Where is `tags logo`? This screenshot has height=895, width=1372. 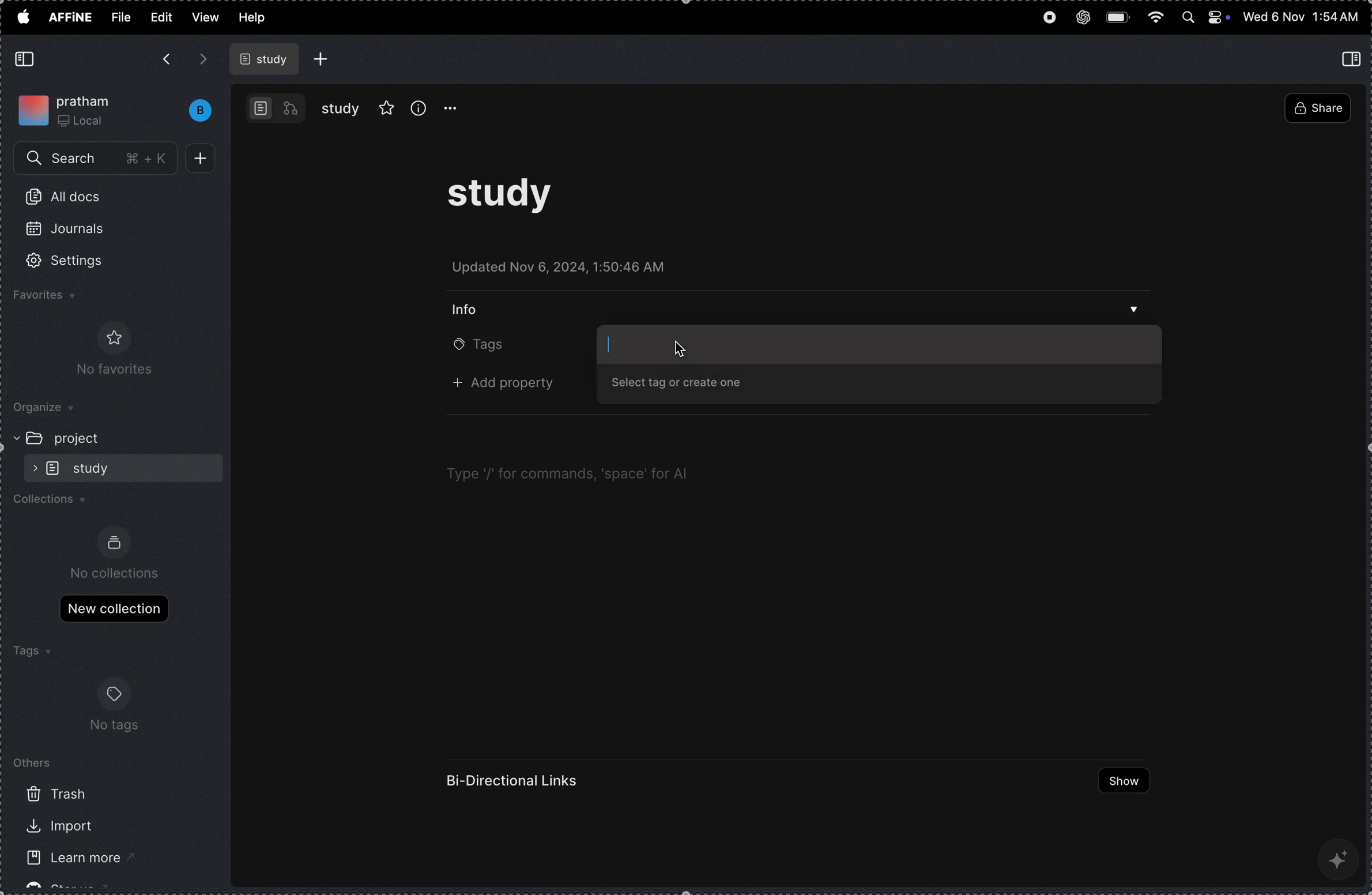 tags logo is located at coordinates (114, 693).